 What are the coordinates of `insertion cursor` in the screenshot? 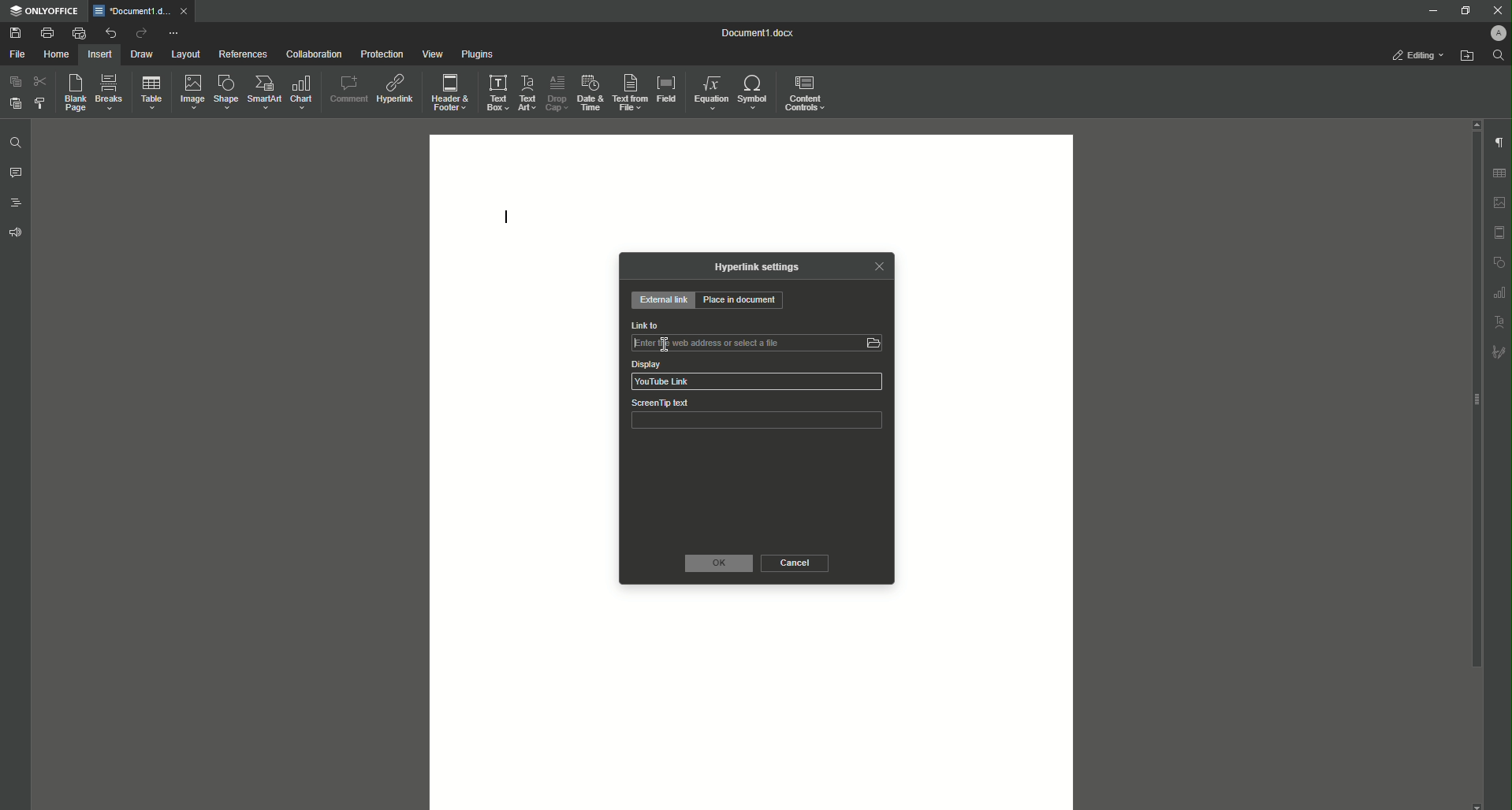 It's located at (664, 343).